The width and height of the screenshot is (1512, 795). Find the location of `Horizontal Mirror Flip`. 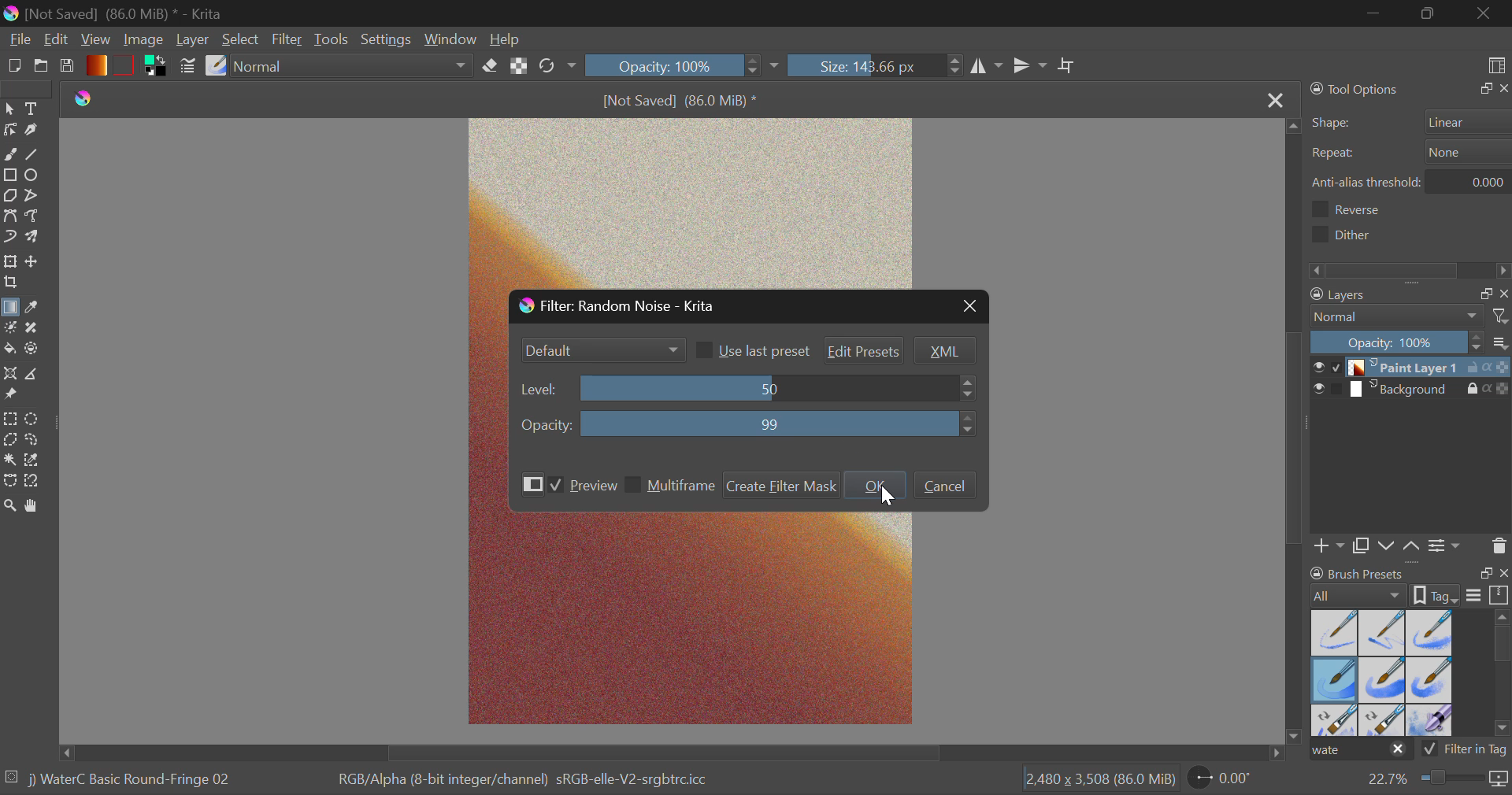

Horizontal Mirror Flip is located at coordinates (1032, 67).